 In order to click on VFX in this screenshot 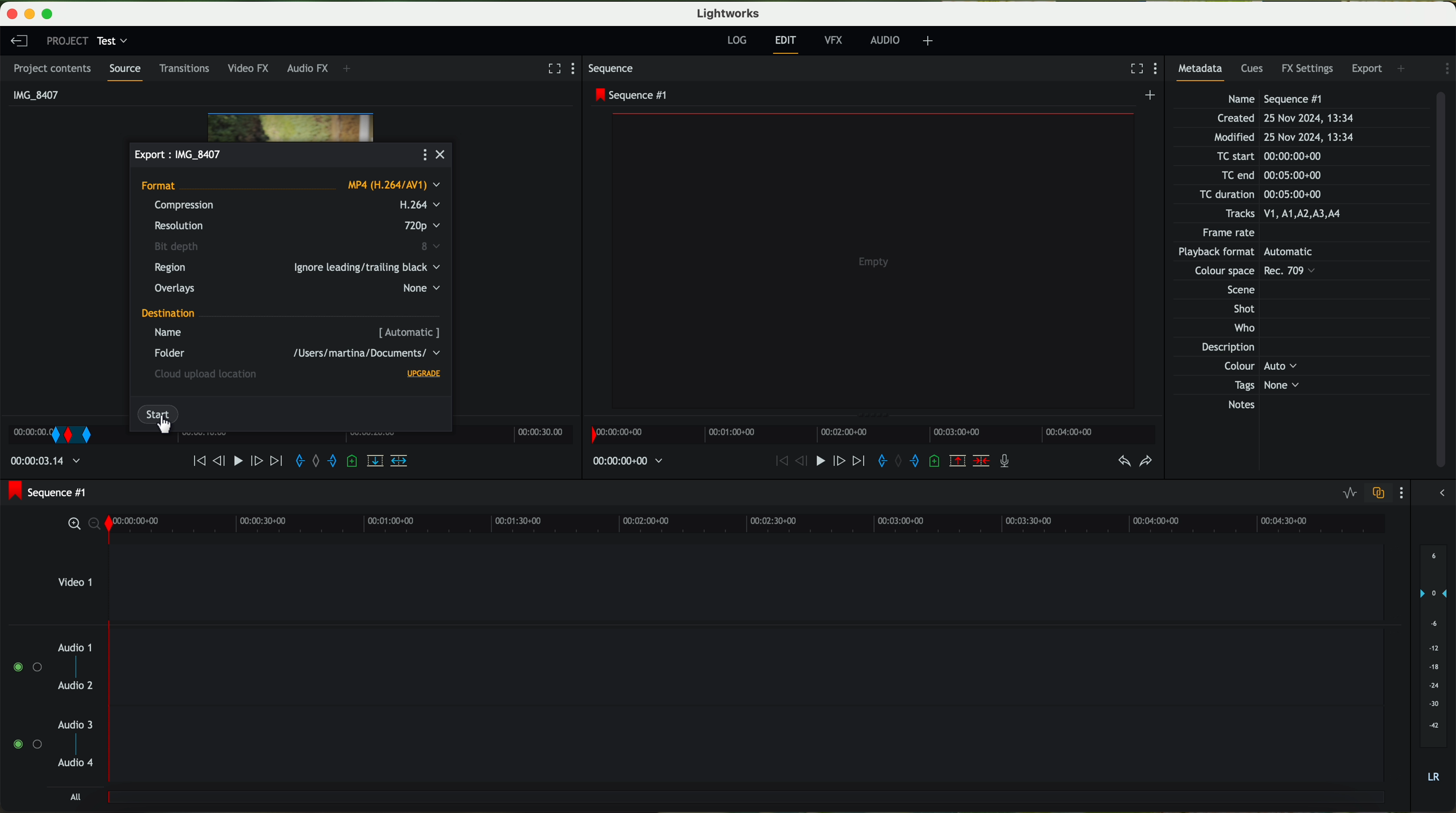, I will do `click(836, 42)`.